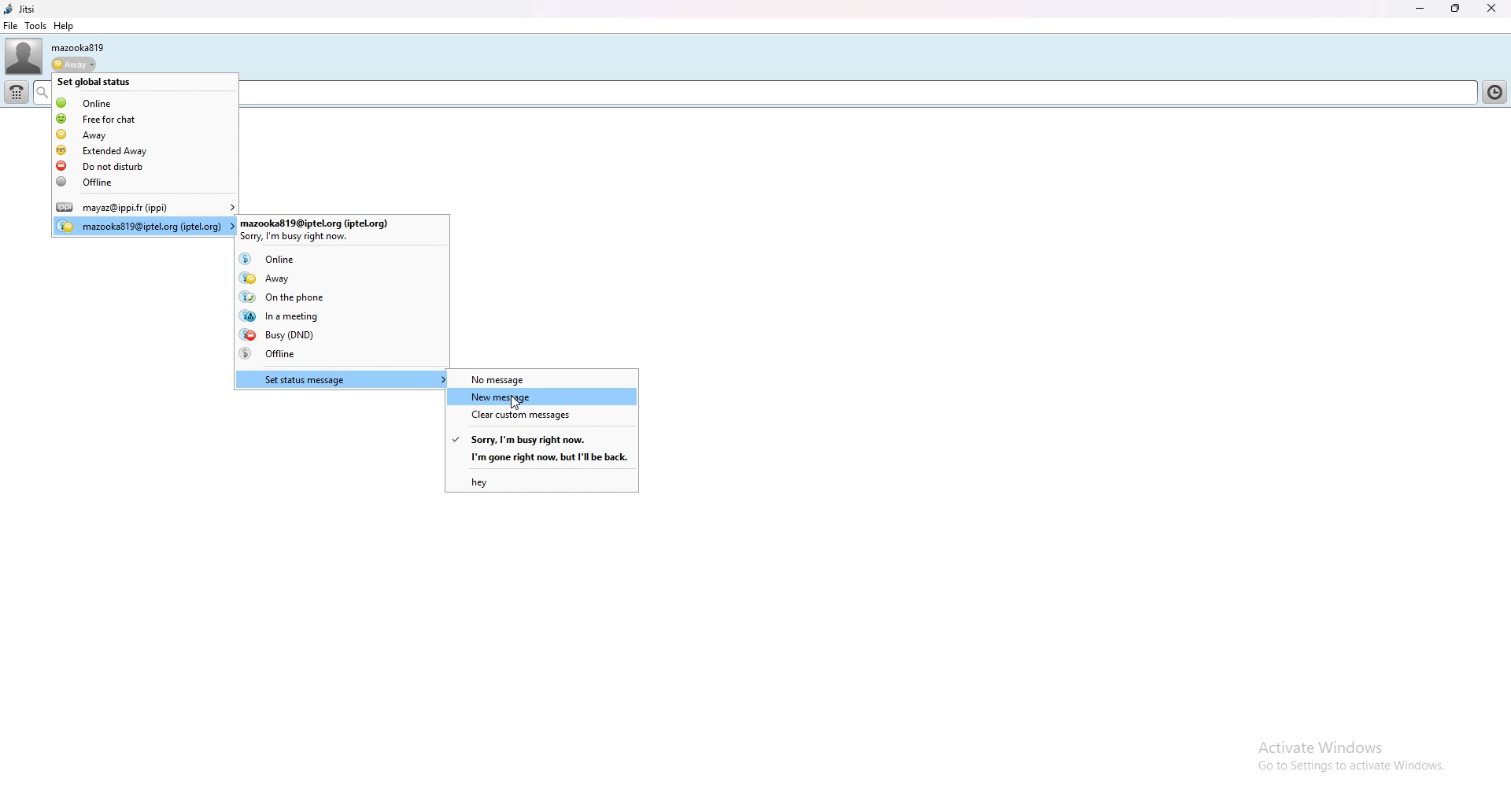 This screenshot has width=1511, height=812. I want to click on file, so click(10, 26).